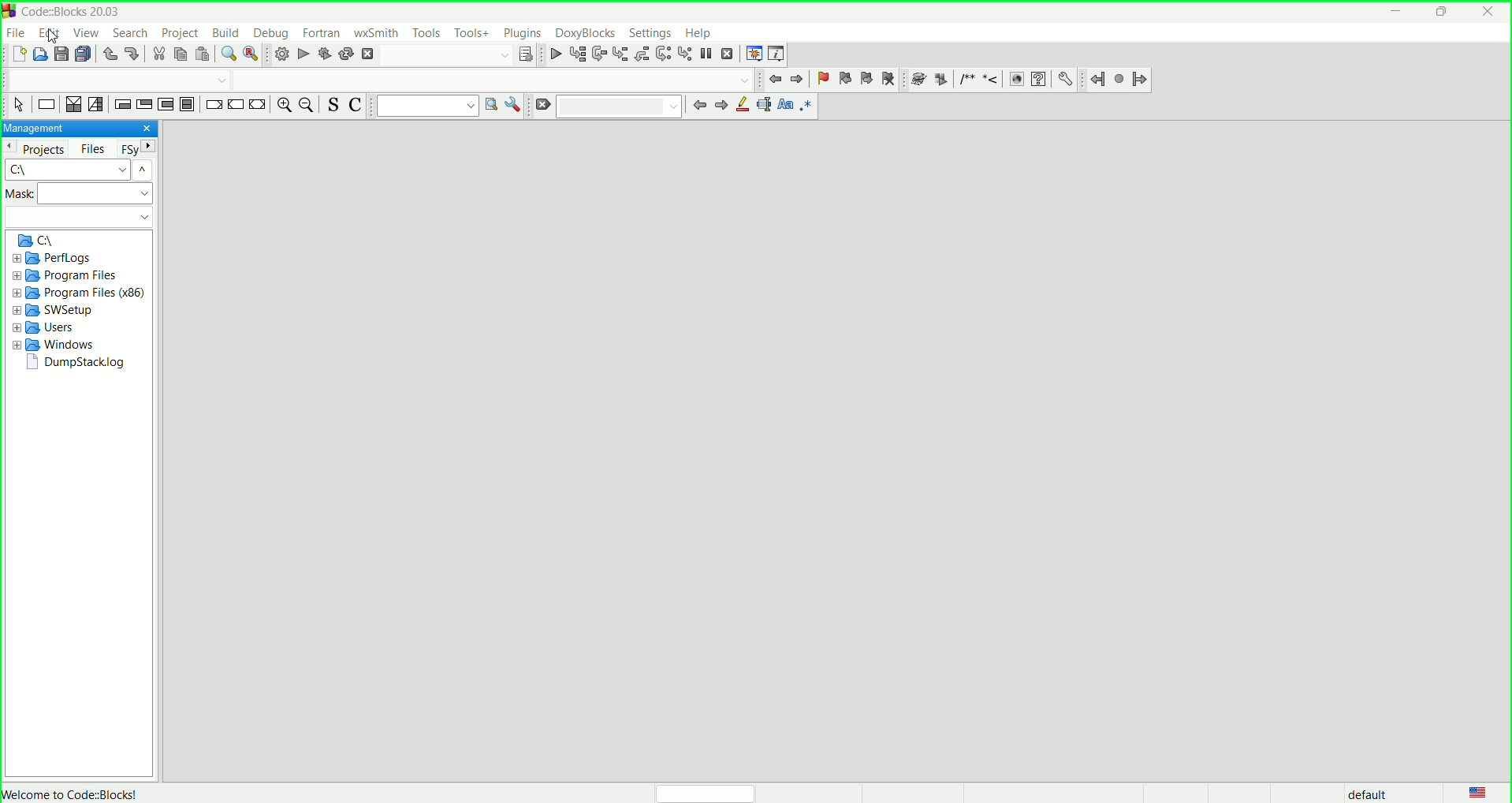  Describe the element at coordinates (181, 32) in the screenshot. I see `project` at that location.